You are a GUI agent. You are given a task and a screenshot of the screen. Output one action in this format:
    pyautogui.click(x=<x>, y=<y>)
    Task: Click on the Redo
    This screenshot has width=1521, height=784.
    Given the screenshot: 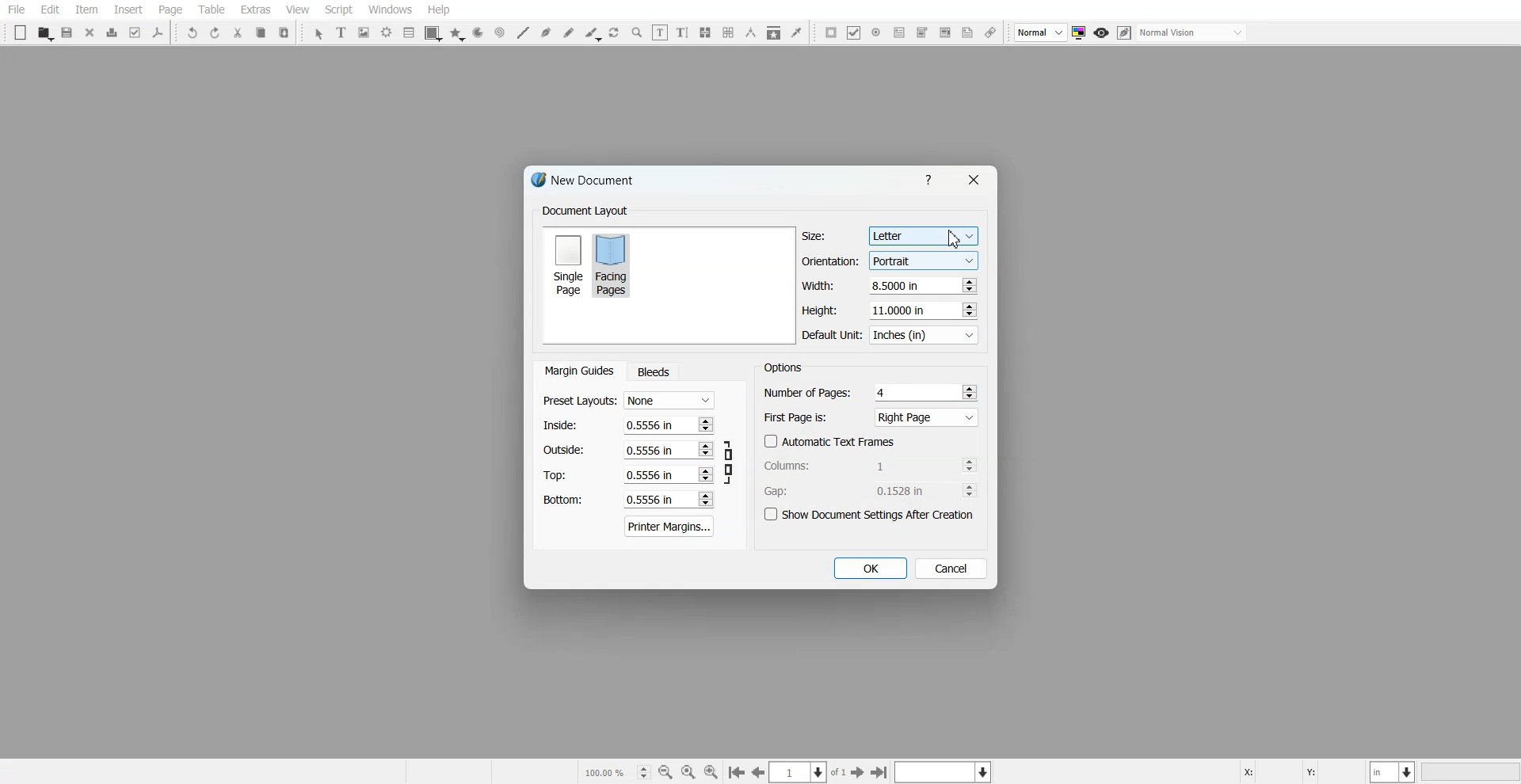 What is the action you would take?
    pyautogui.click(x=215, y=32)
    